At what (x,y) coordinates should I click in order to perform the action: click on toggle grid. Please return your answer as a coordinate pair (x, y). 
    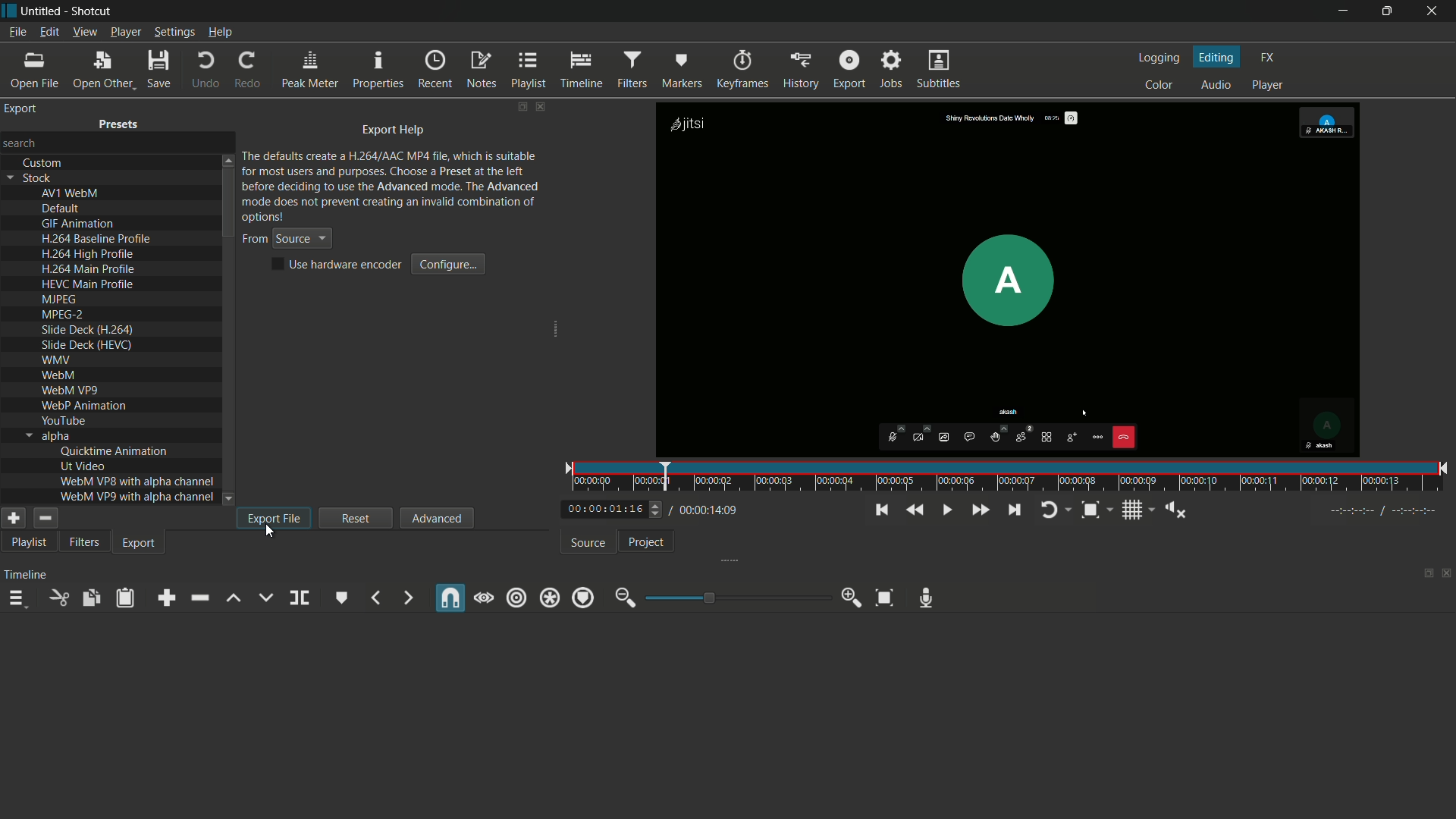
    Looking at the image, I should click on (1132, 510).